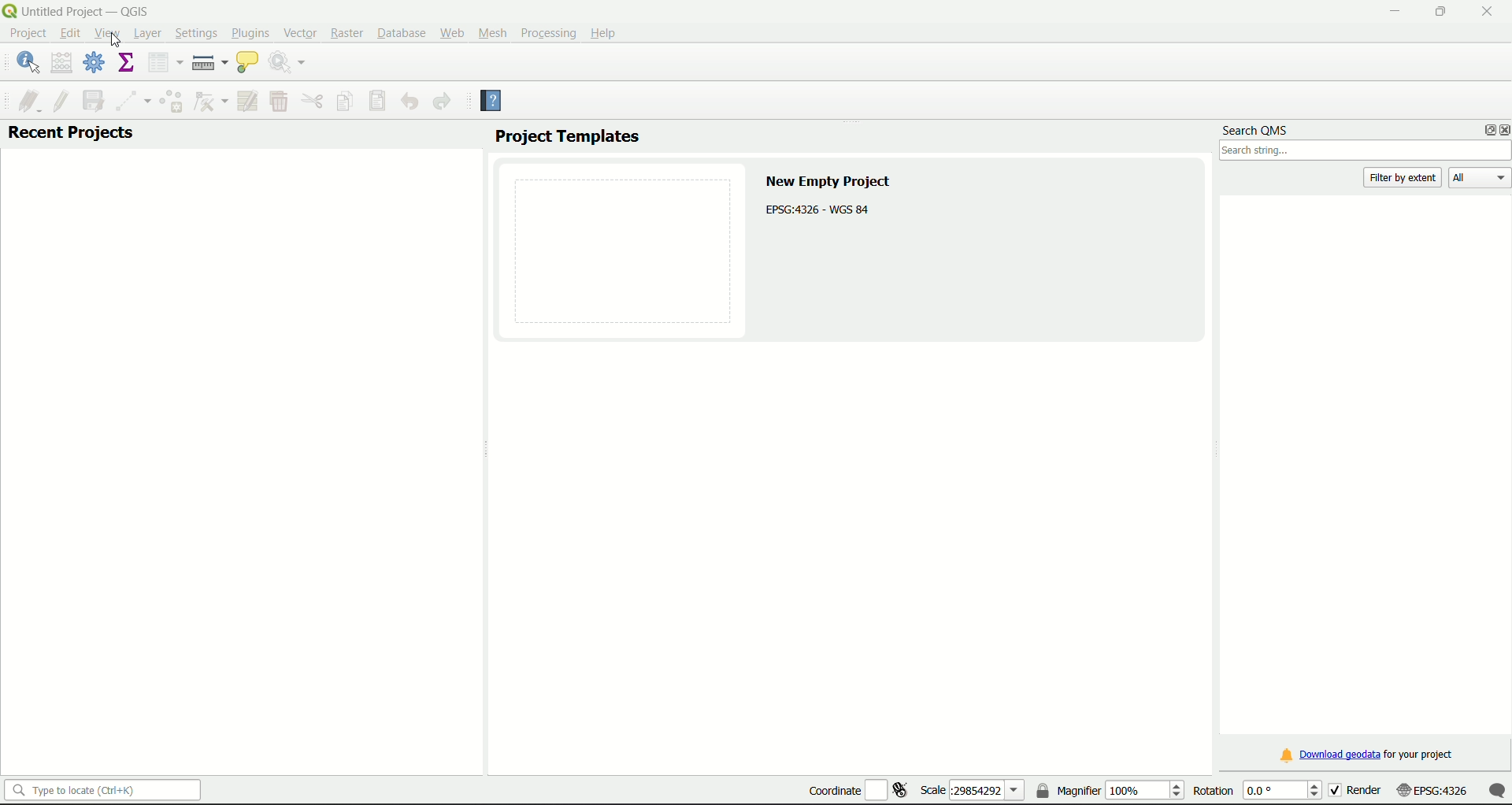 Image resolution: width=1512 pixels, height=805 pixels. I want to click on minimize/maximize, so click(1440, 12).